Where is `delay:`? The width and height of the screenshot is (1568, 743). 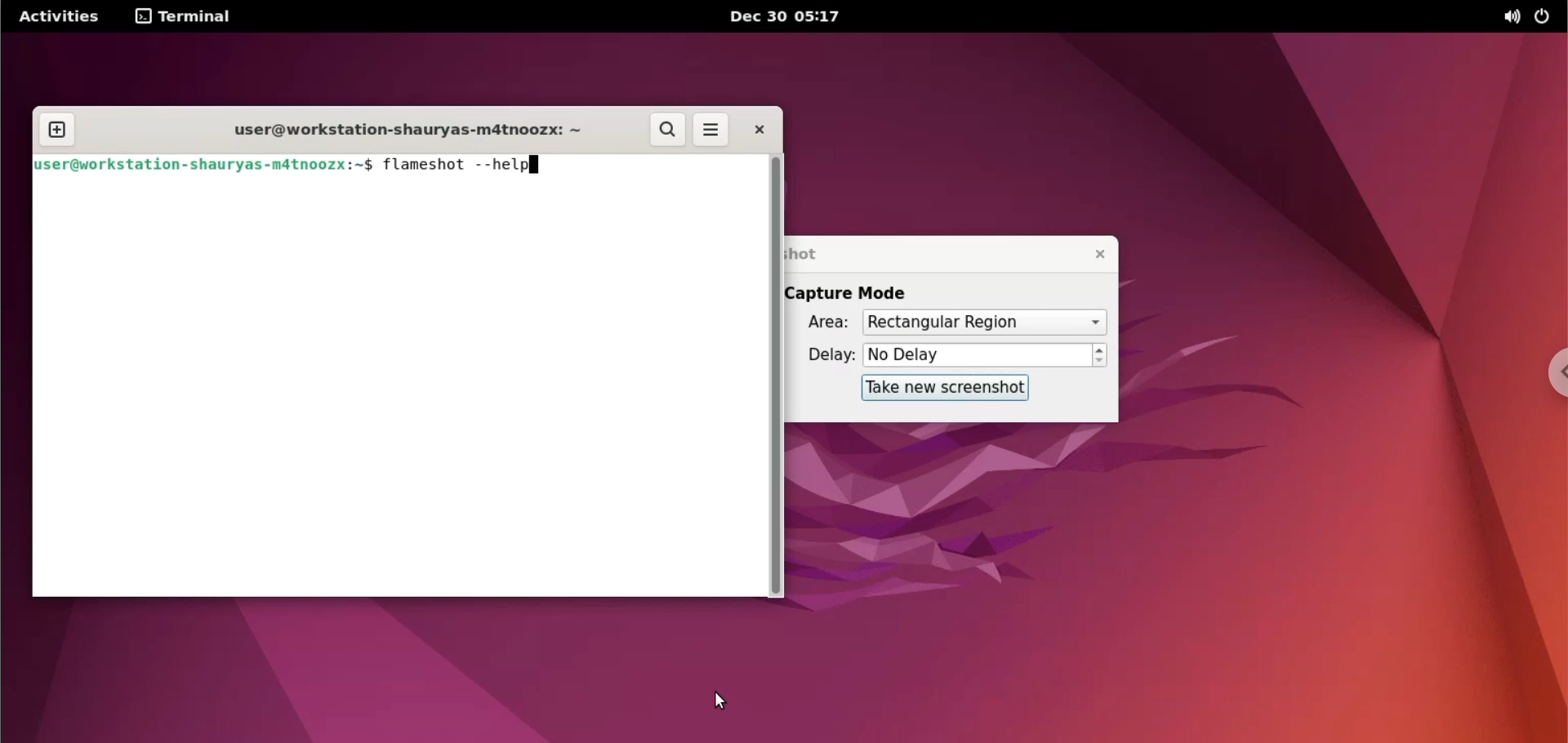
delay: is located at coordinates (825, 358).